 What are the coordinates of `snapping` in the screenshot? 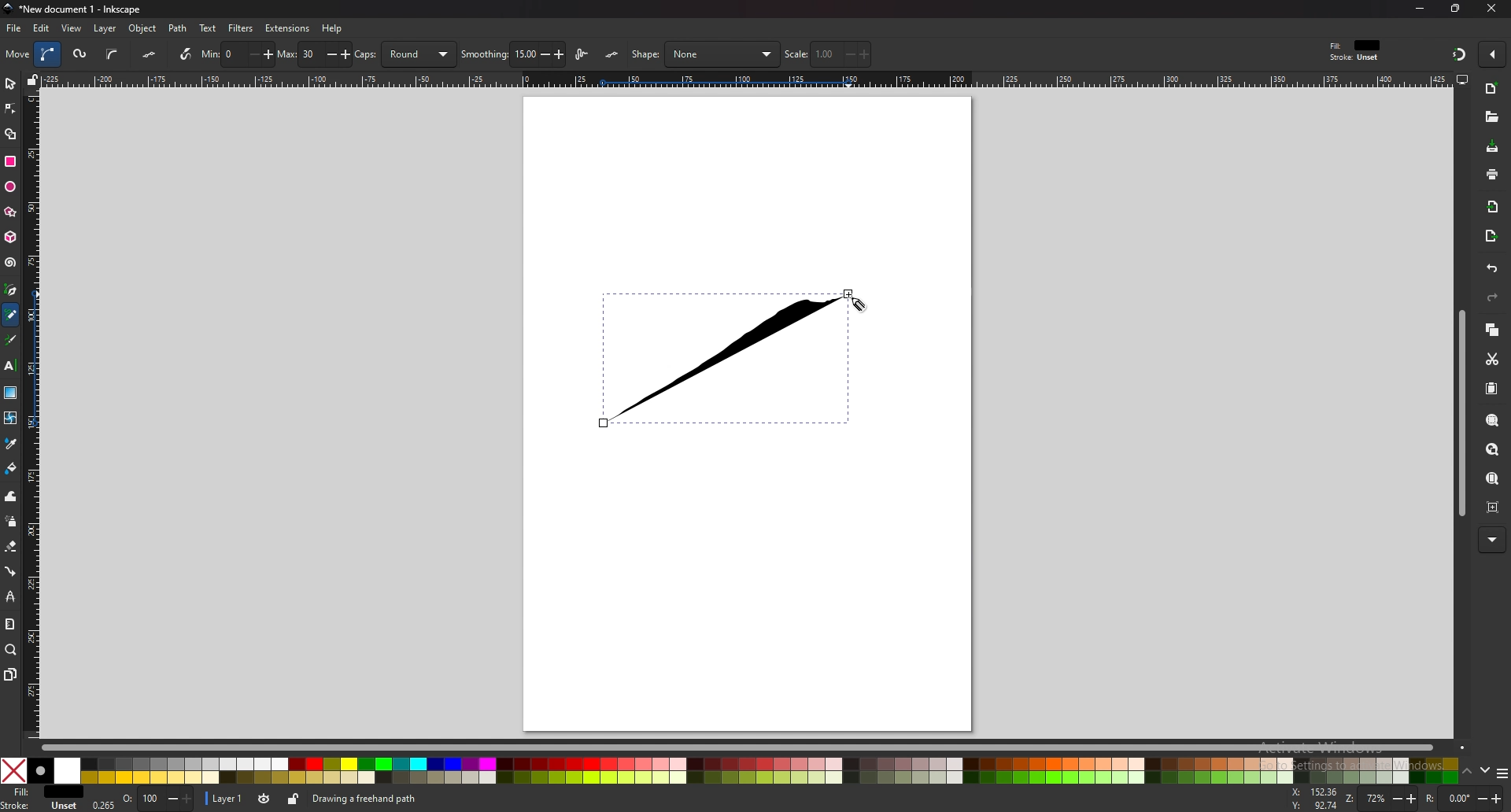 It's located at (1457, 55).